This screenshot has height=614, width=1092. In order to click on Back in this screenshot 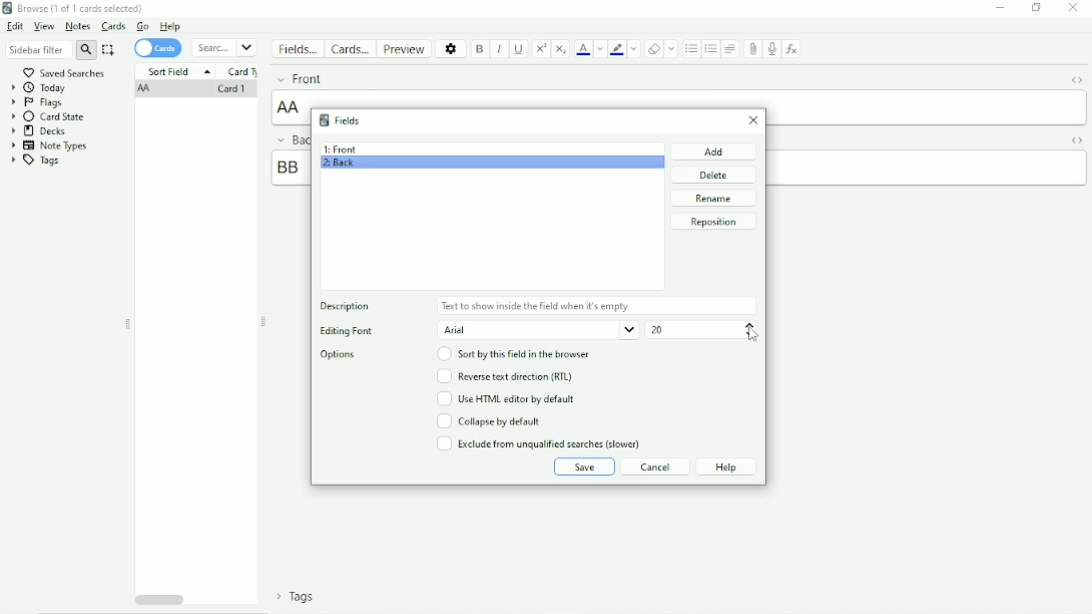, I will do `click(289, 139)`.